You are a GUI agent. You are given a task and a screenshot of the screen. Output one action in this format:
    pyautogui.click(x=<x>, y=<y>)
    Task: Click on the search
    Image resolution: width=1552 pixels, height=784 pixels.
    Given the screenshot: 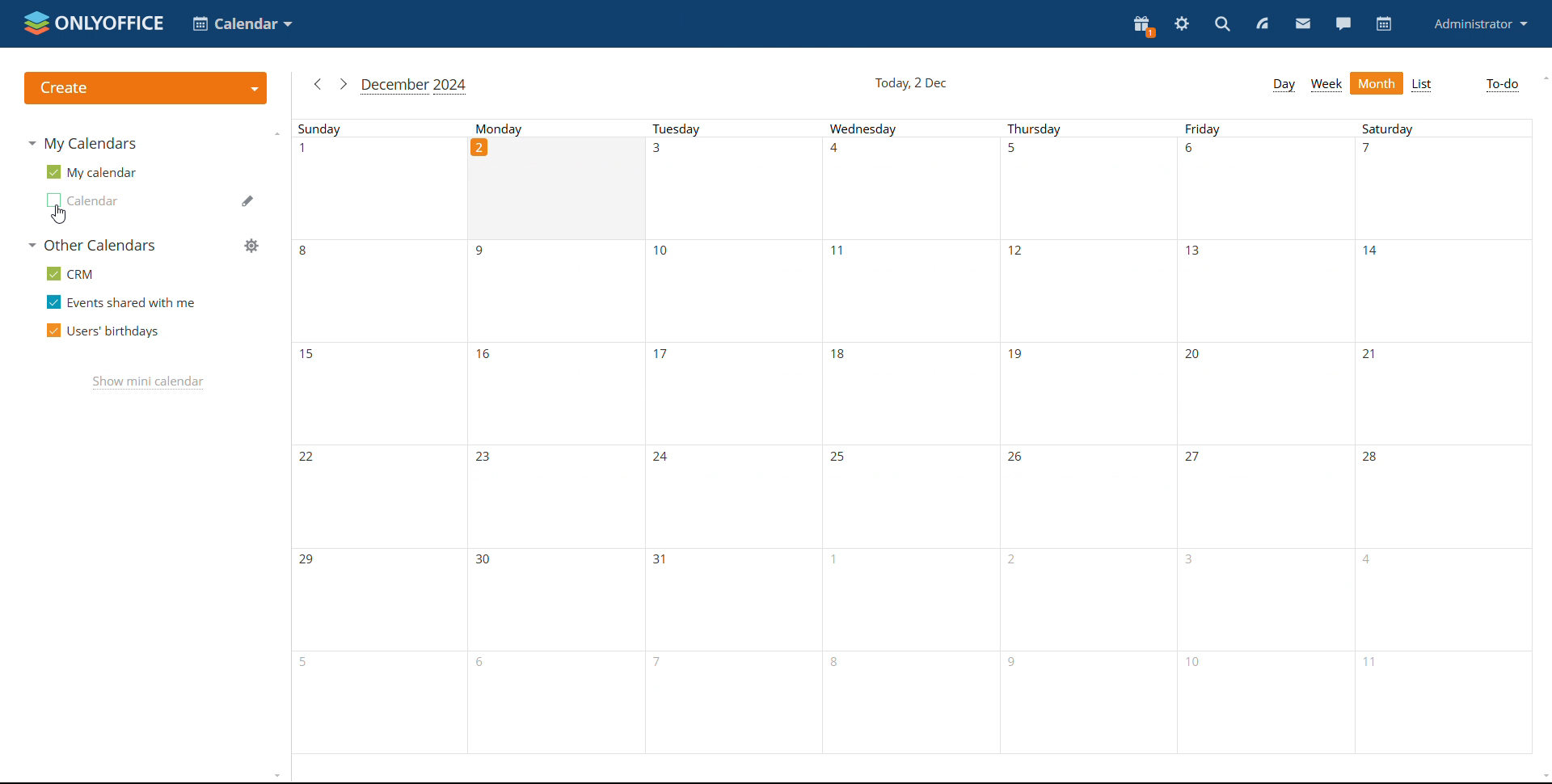 What is the action you would take?
    pyautogui.click(x=1222, y=25)
    